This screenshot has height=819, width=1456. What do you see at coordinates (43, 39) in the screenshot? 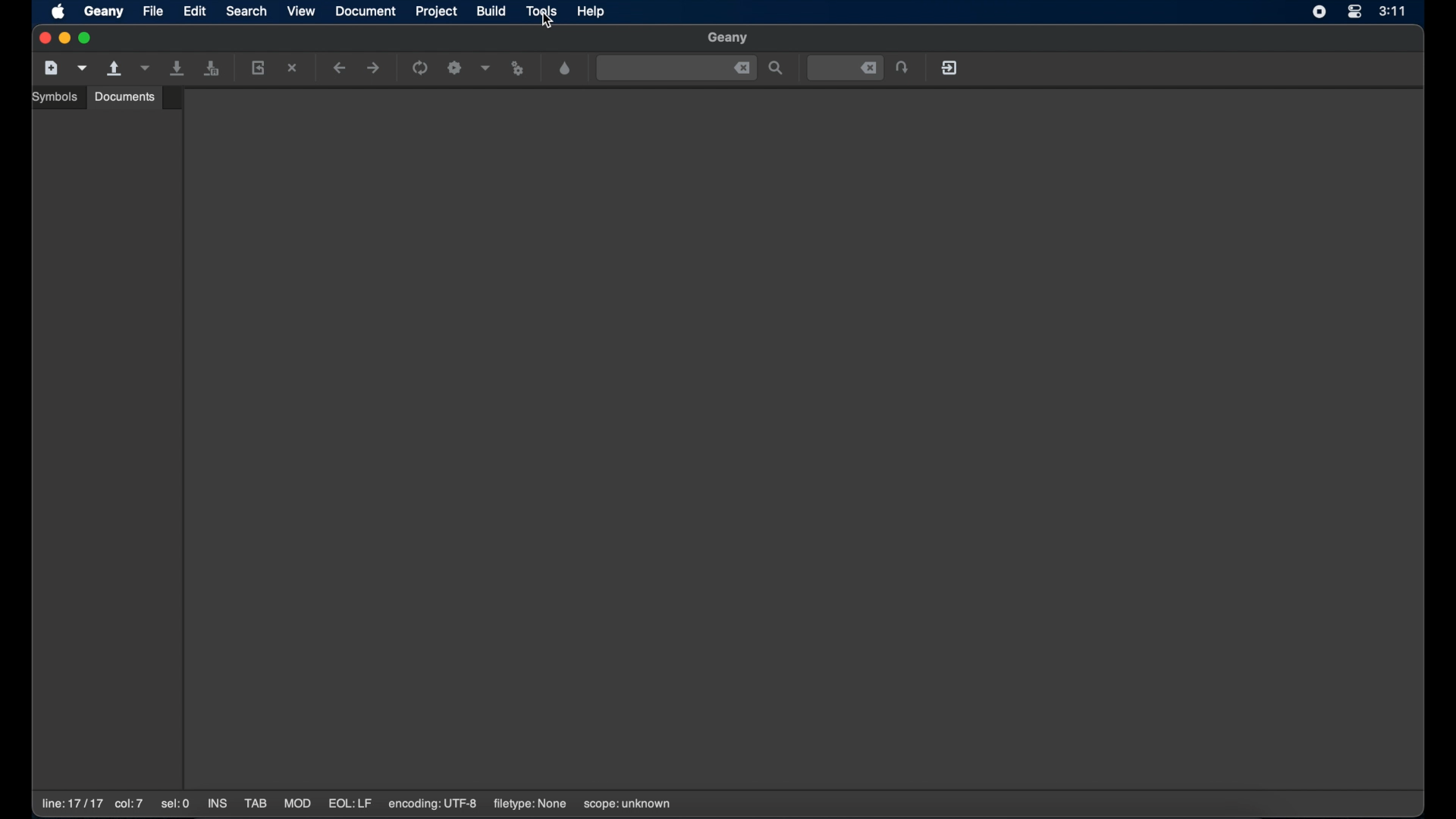
I see `close` at bounding box center [43, 39].